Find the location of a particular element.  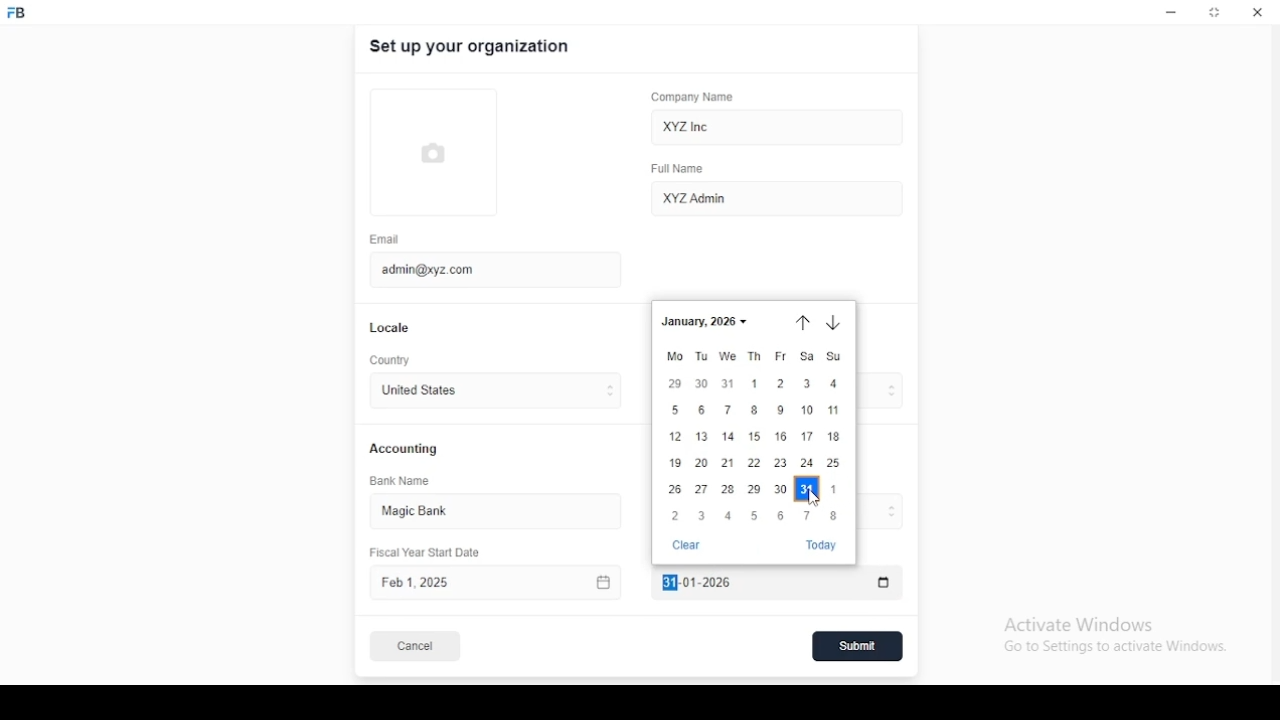

26 is located at coordinates (673, 491).